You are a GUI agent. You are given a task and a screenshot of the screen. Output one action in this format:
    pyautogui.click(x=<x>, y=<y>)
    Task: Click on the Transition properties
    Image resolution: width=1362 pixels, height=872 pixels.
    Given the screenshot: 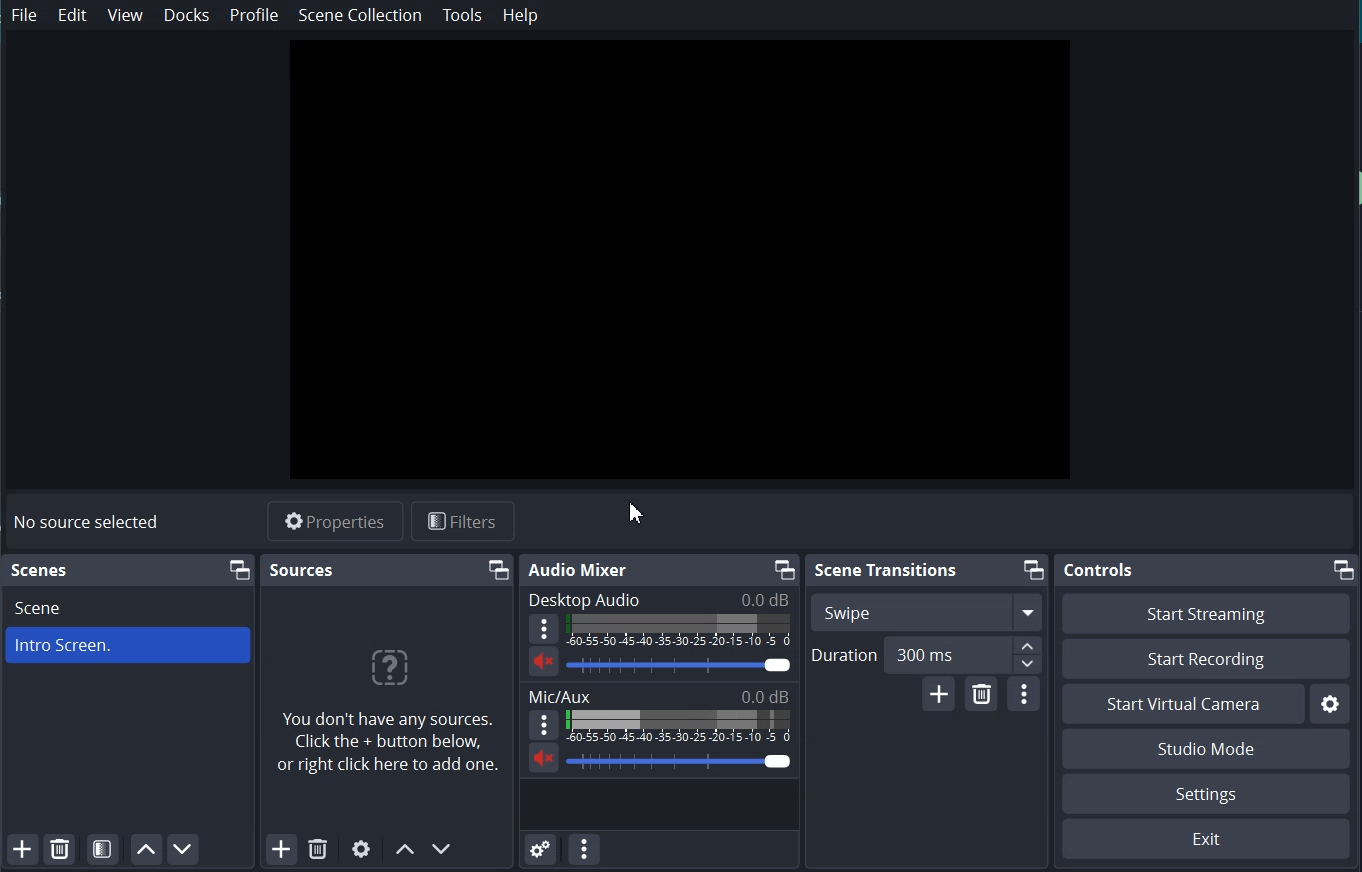 What is the action you would take?
    pyautogui.click(x=1025, y=695)
    